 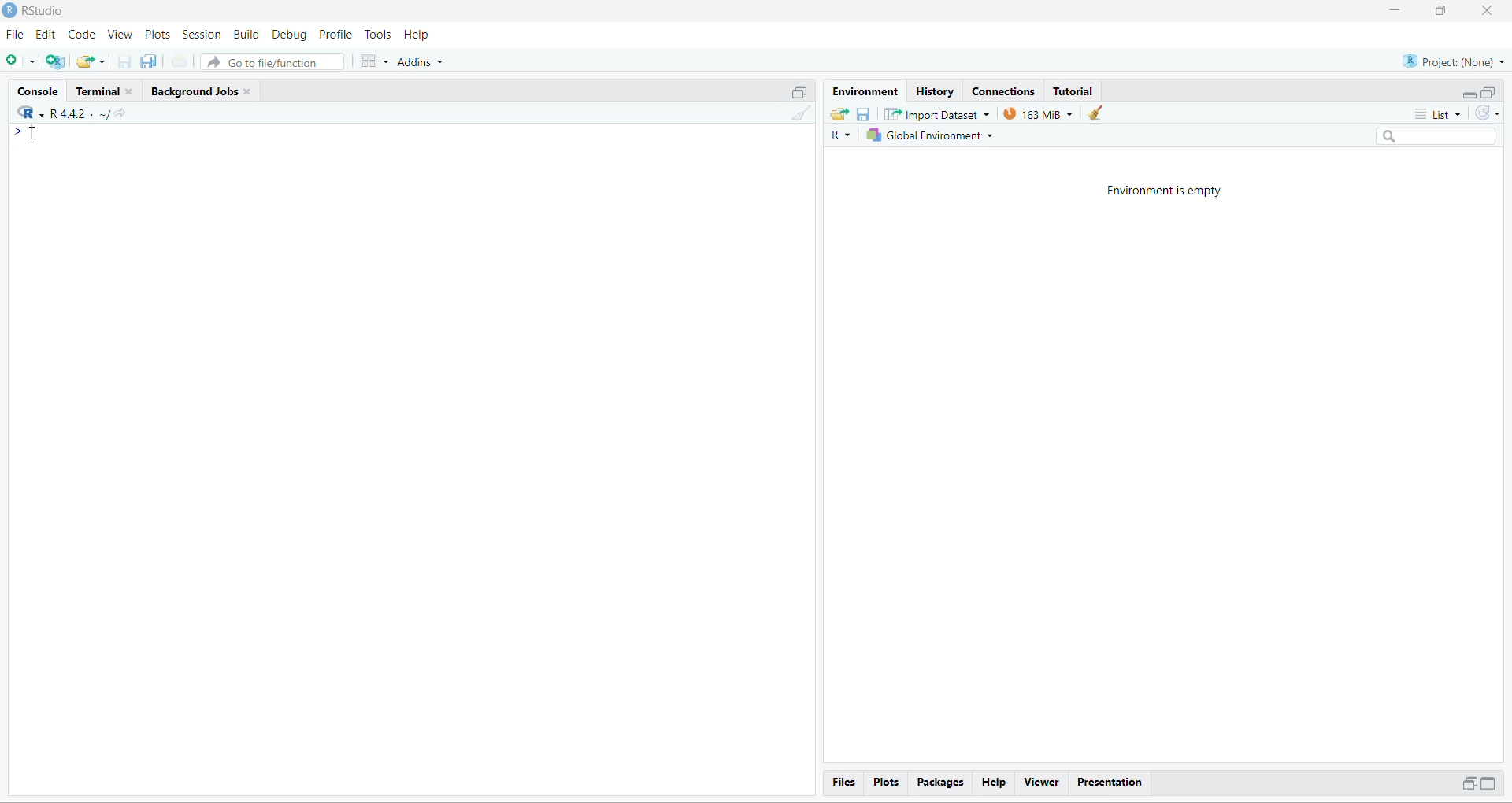 I want to click on save current document, so click(x=124, y=62).